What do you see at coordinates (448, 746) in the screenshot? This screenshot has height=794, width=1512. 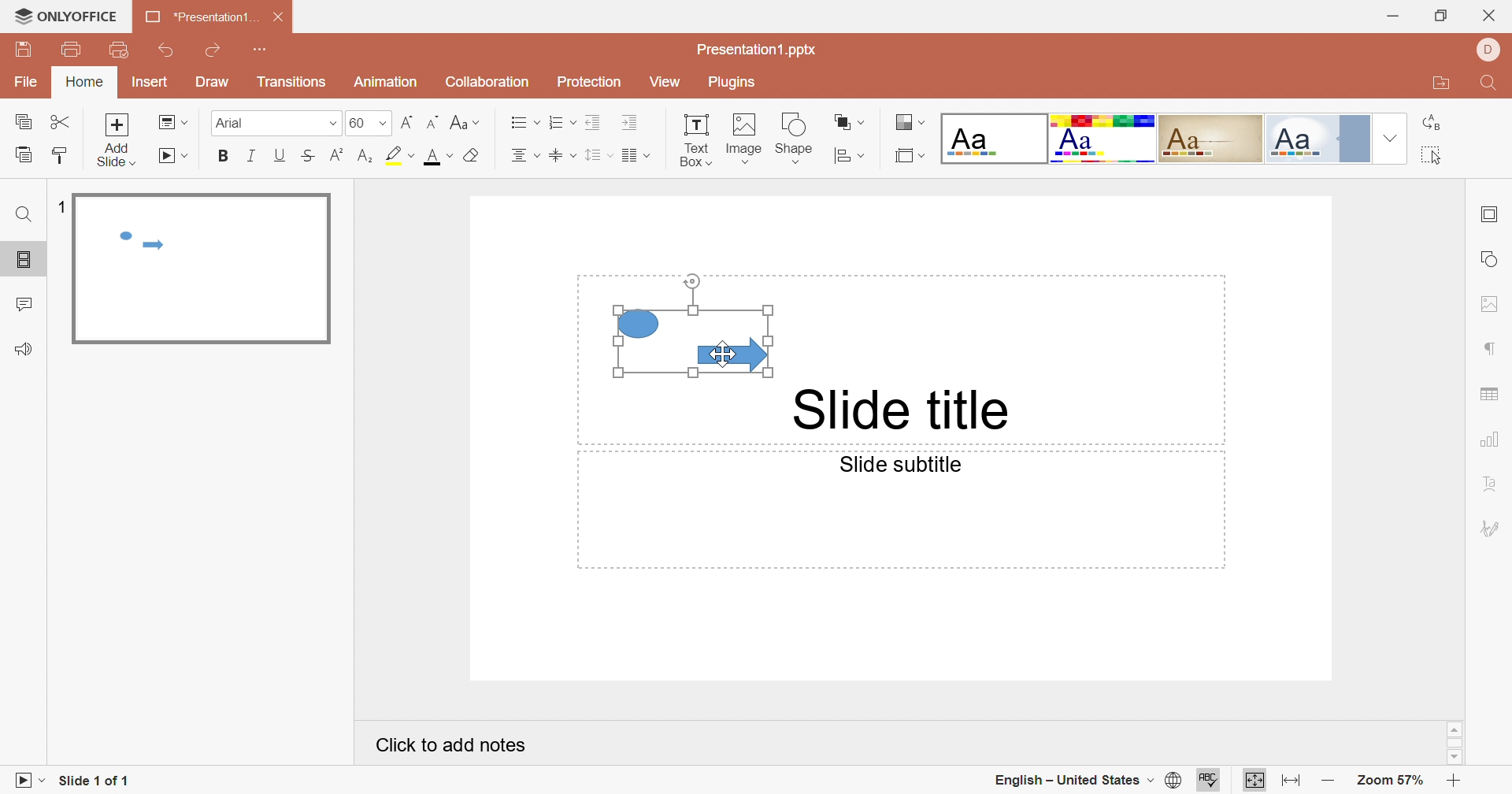 I see `Click to add notes` at bounding box center [448, 746].